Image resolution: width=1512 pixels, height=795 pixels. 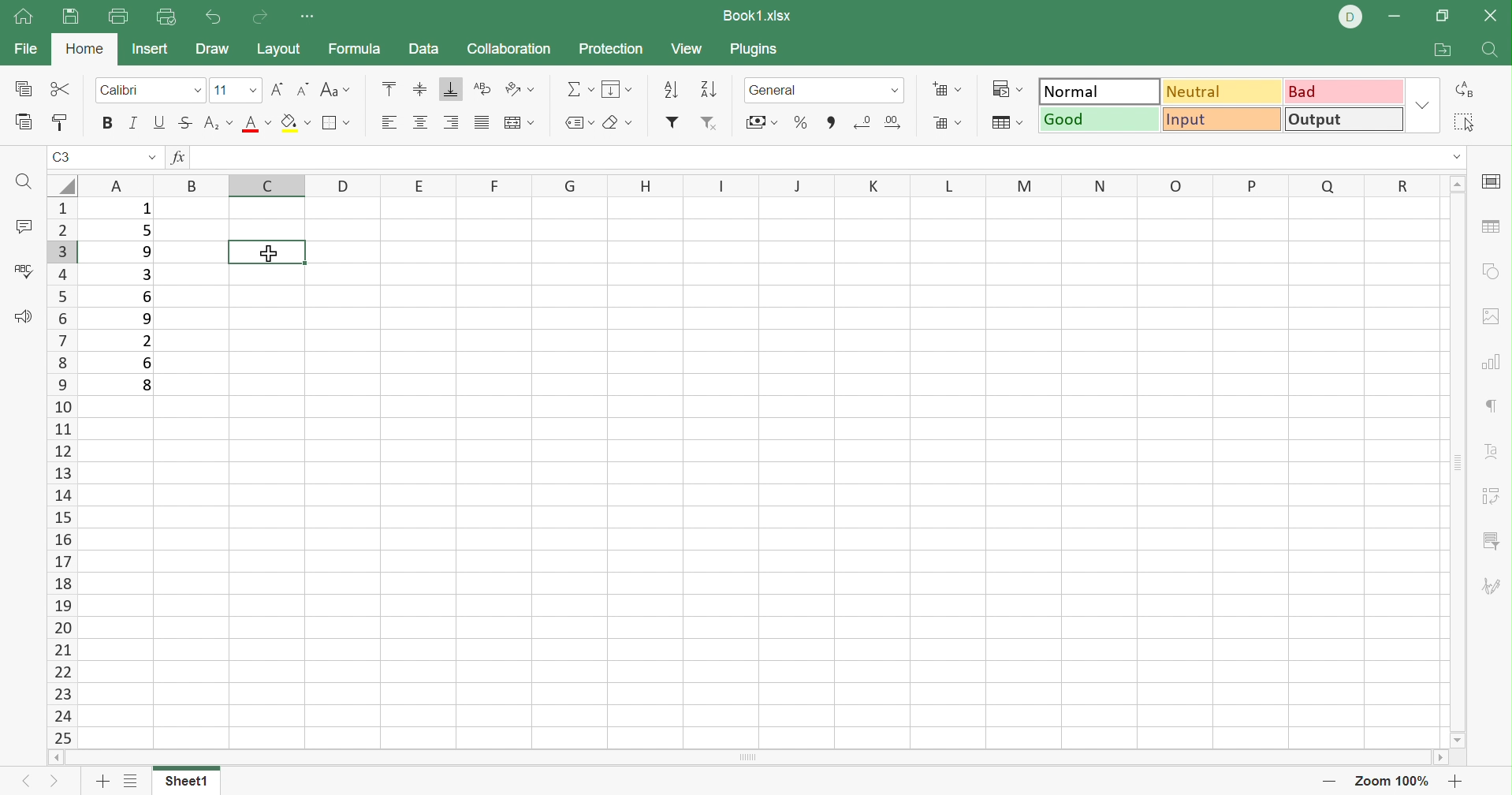 I want to click on Feedback & Support, so click(x=22, y=315).